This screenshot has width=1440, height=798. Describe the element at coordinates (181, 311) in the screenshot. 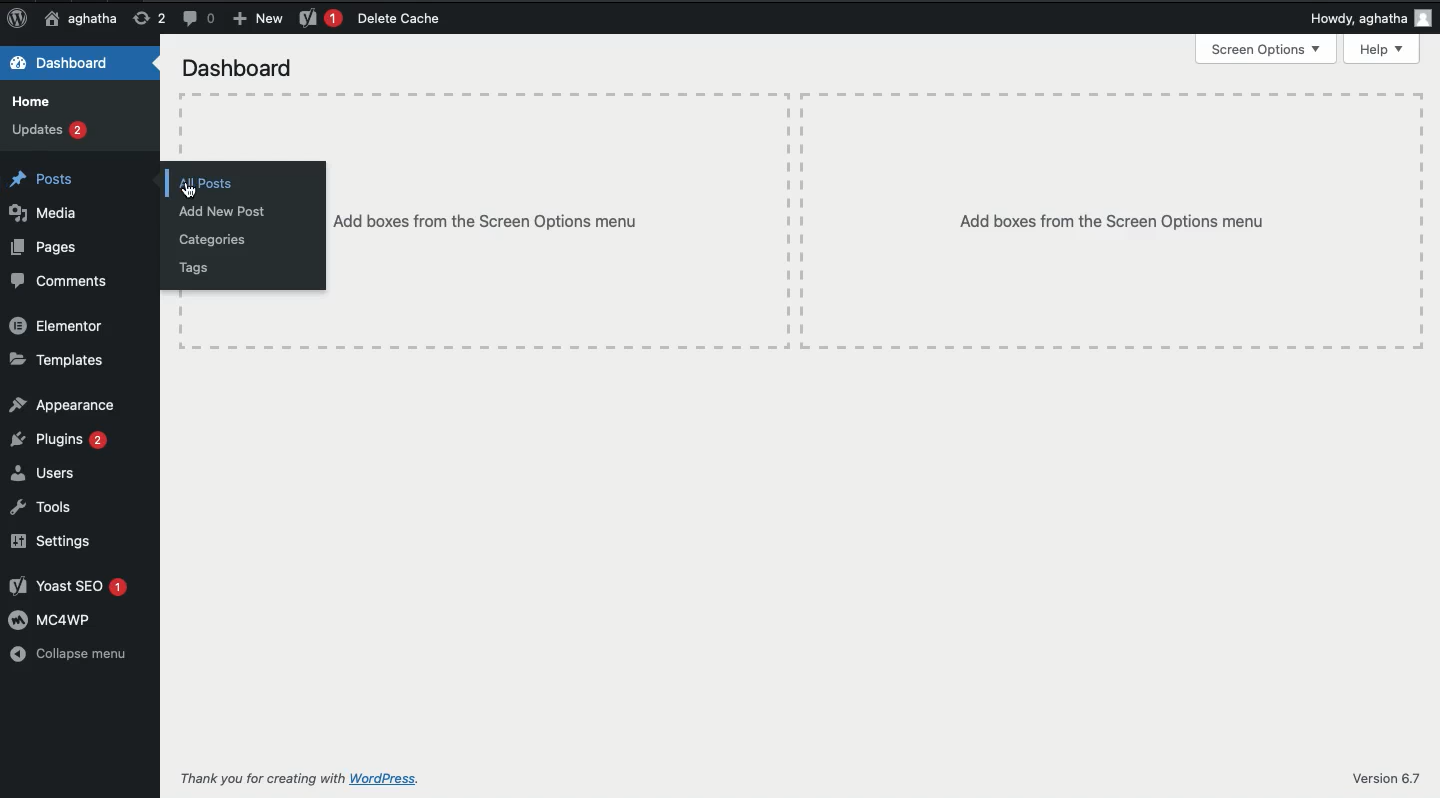

I see `Table line` at that location.